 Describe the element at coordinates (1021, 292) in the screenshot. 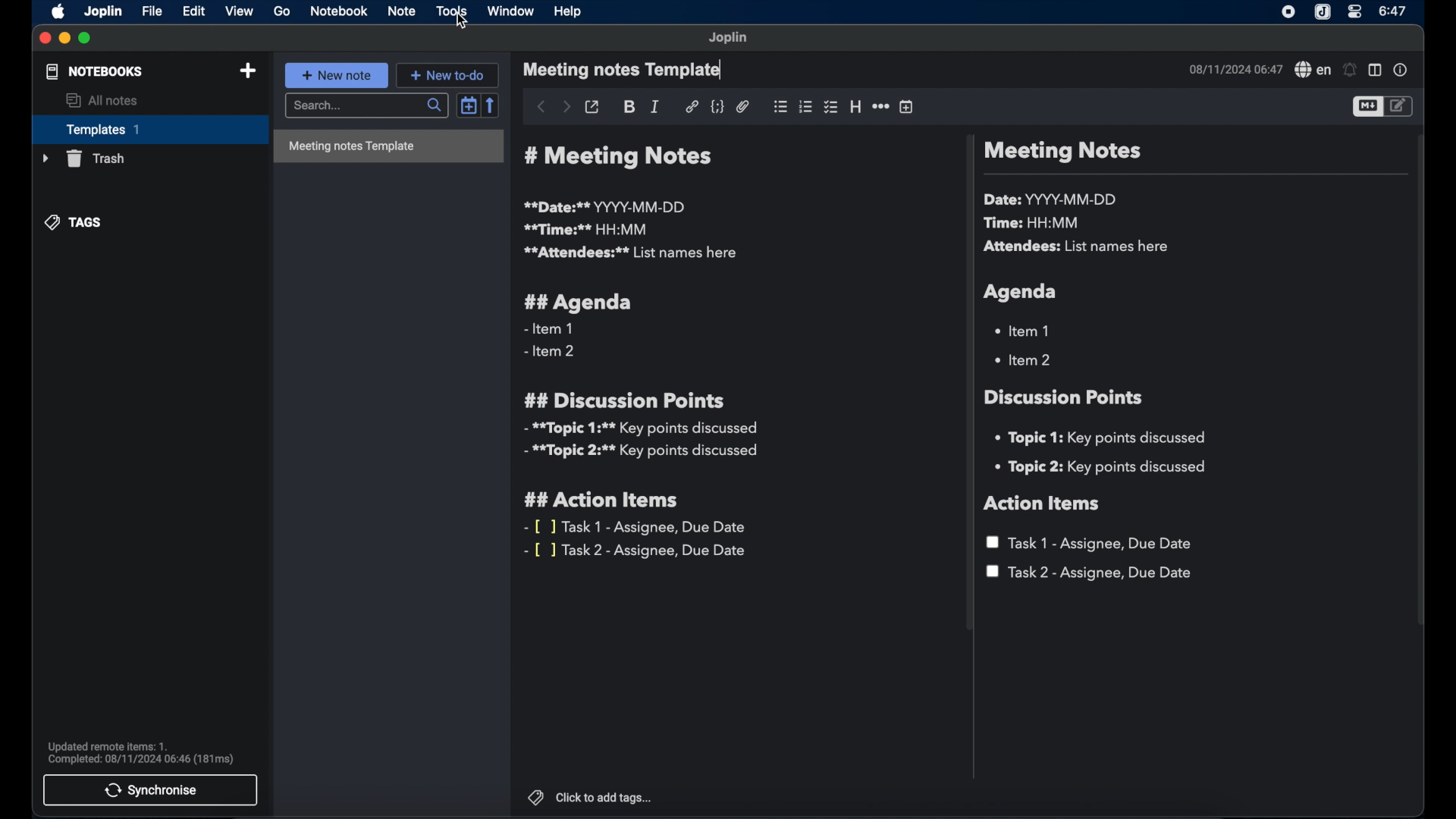

I see `agenda` at that location.